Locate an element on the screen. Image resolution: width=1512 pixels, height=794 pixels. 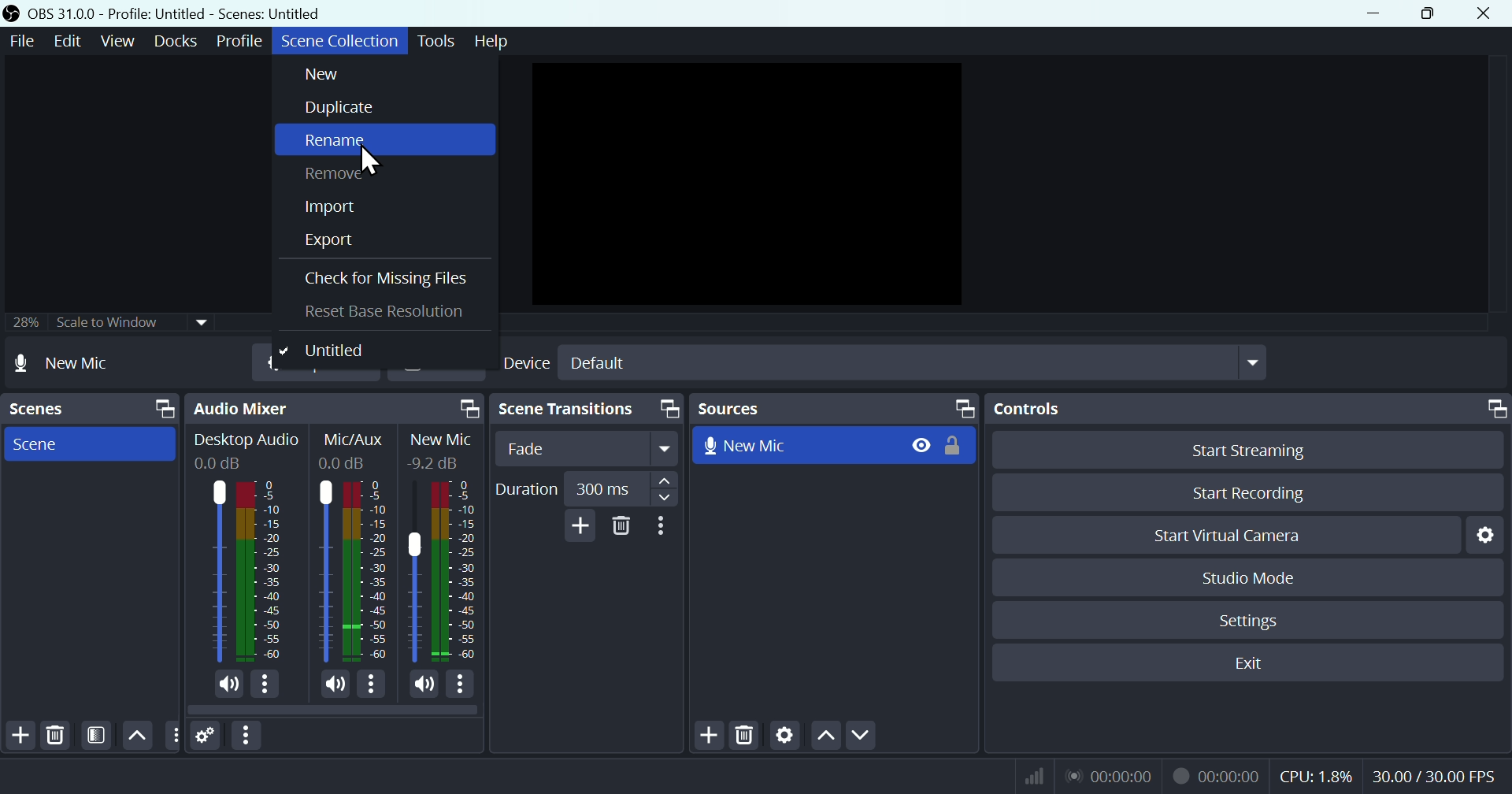
Hide/Display is located at coordinates (921, 445).